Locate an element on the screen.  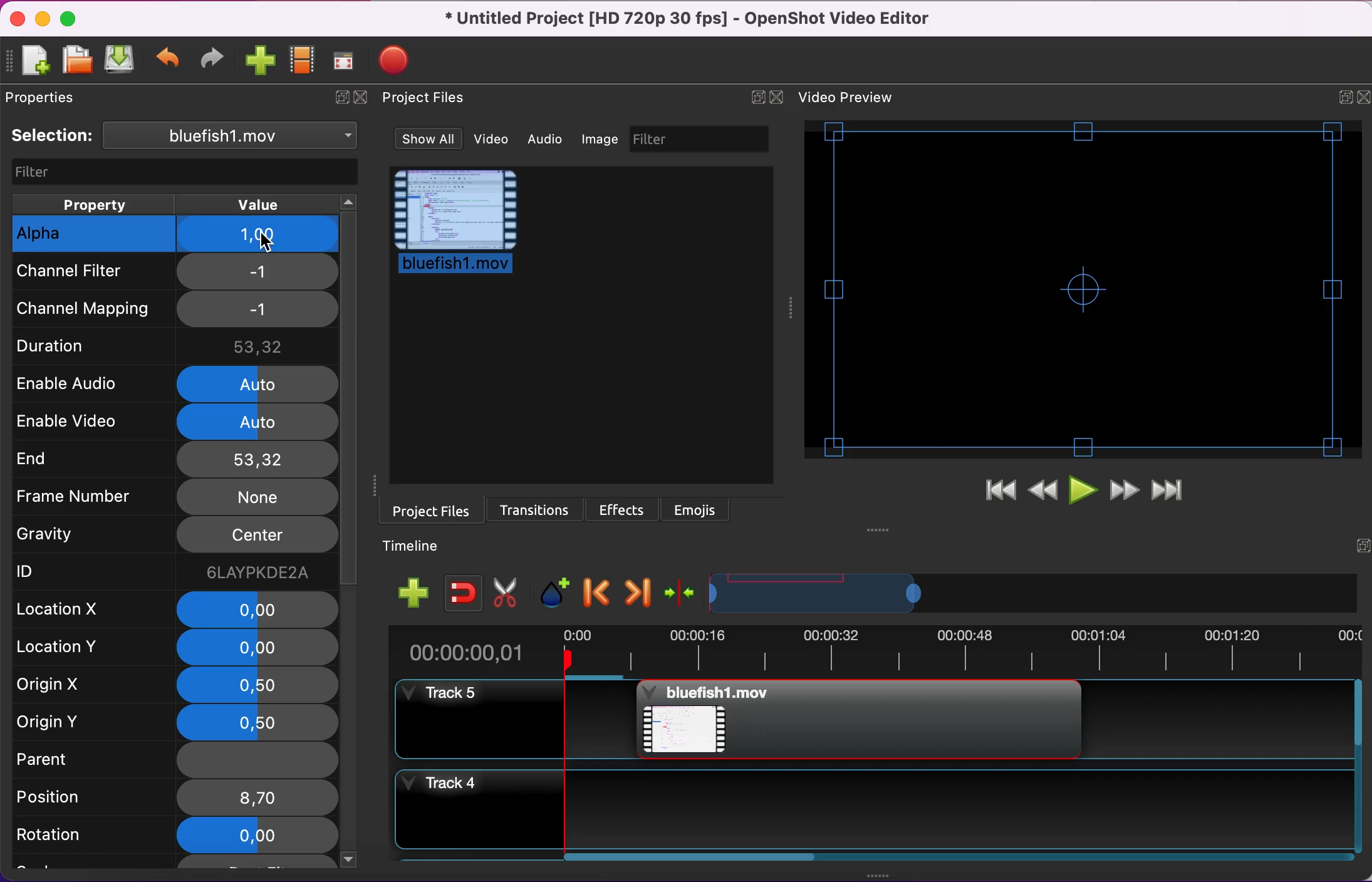
full screen is located at coordinates (346, 56).